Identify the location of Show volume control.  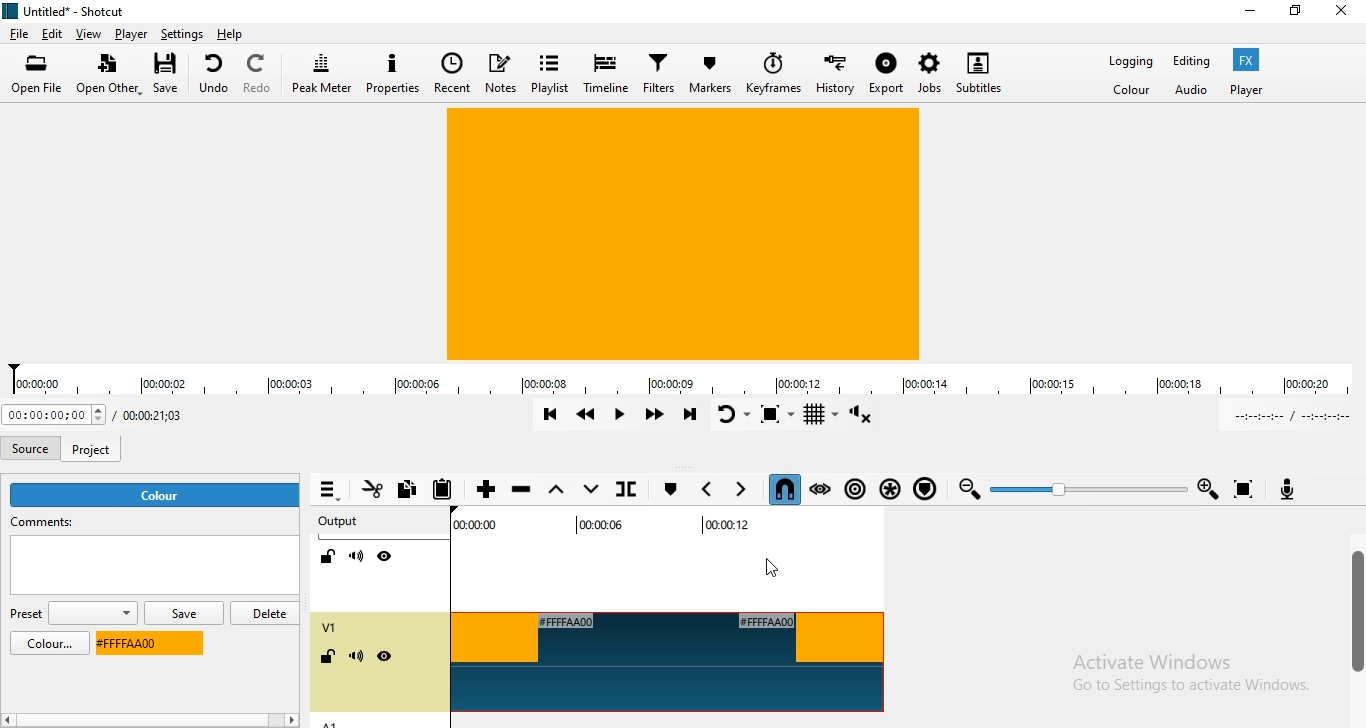
(862, 416).